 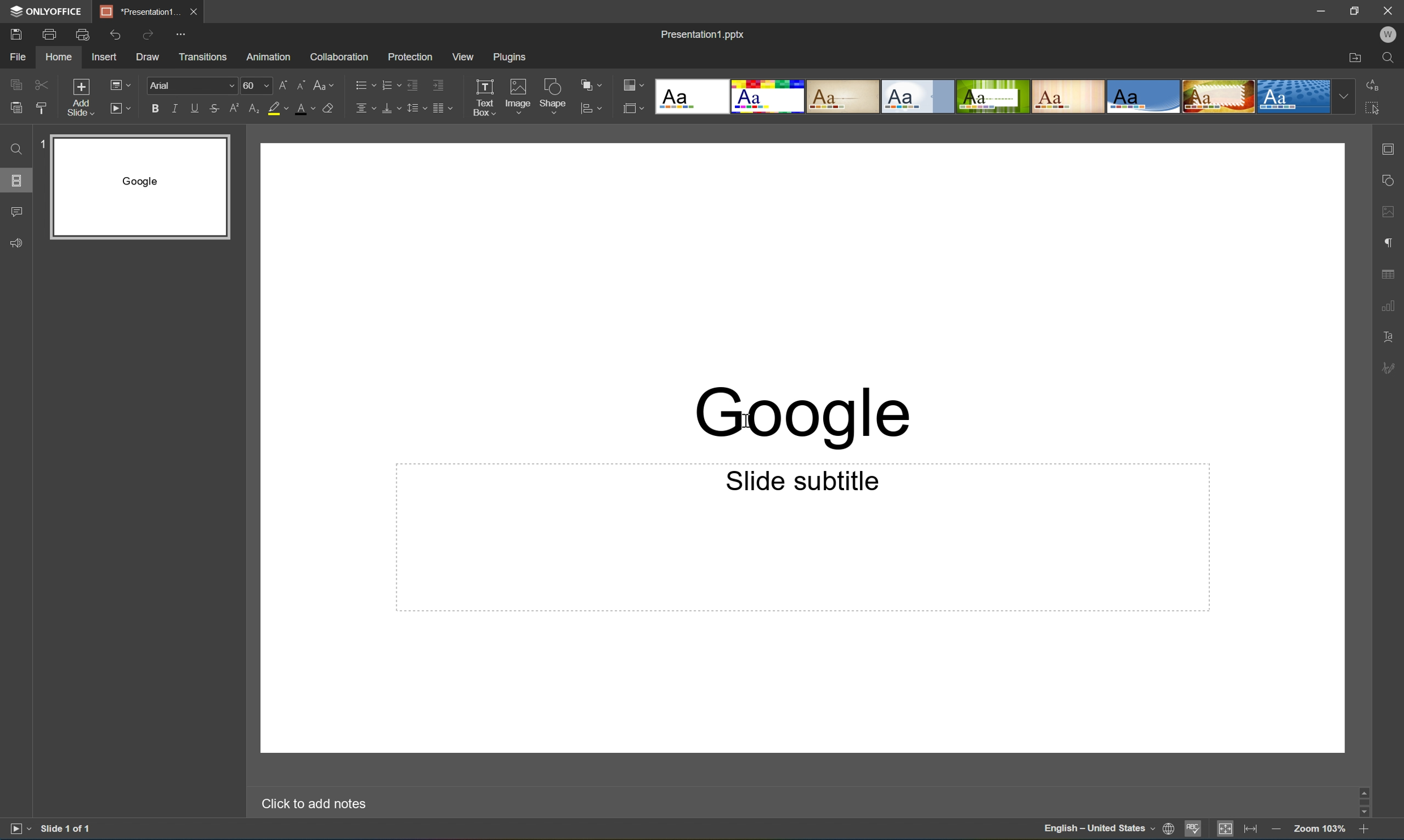 I want to click on Paragraph settings, so click(x=1387, y=244).